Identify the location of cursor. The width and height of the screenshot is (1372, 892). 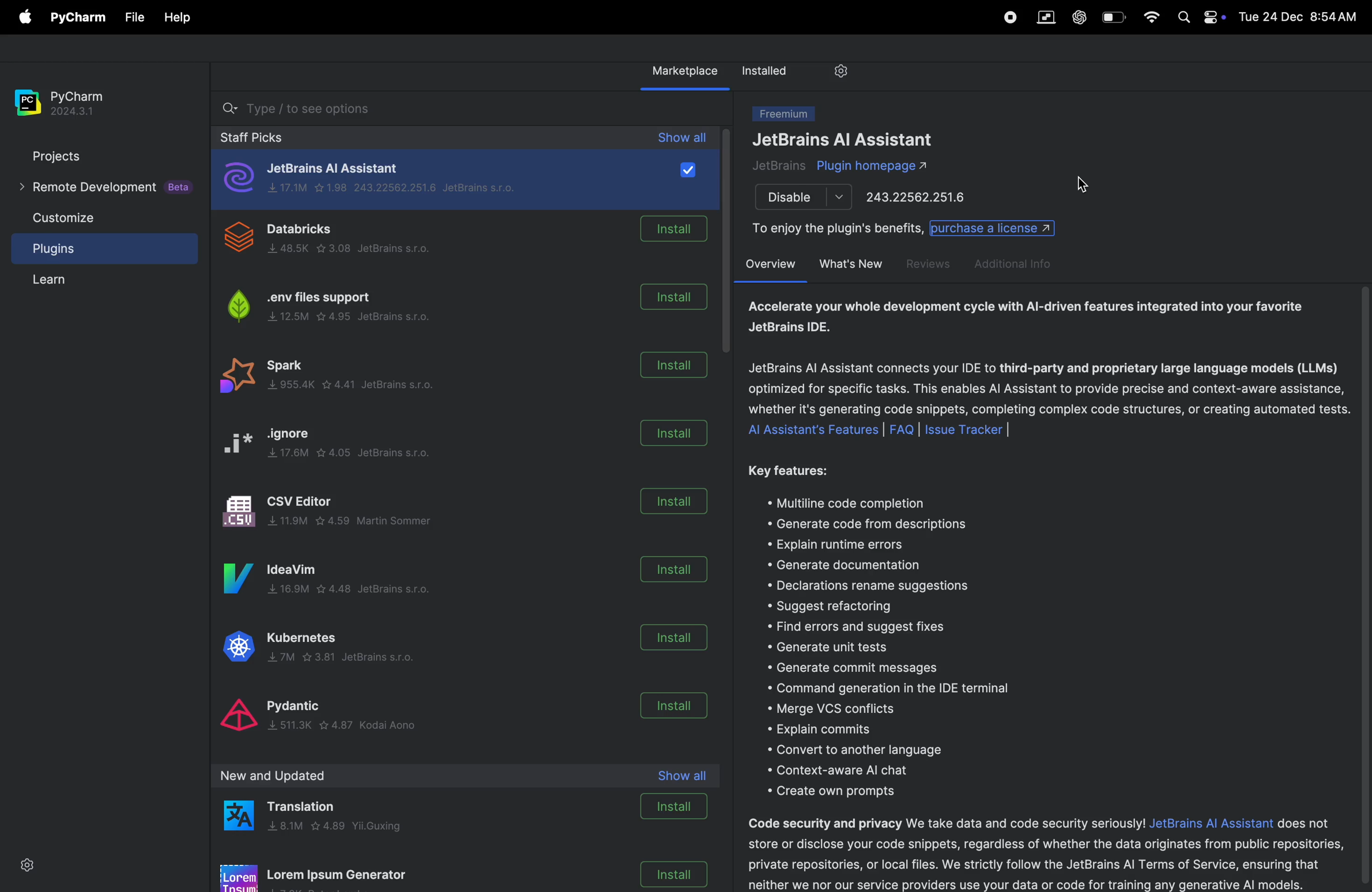
(1085, 184).